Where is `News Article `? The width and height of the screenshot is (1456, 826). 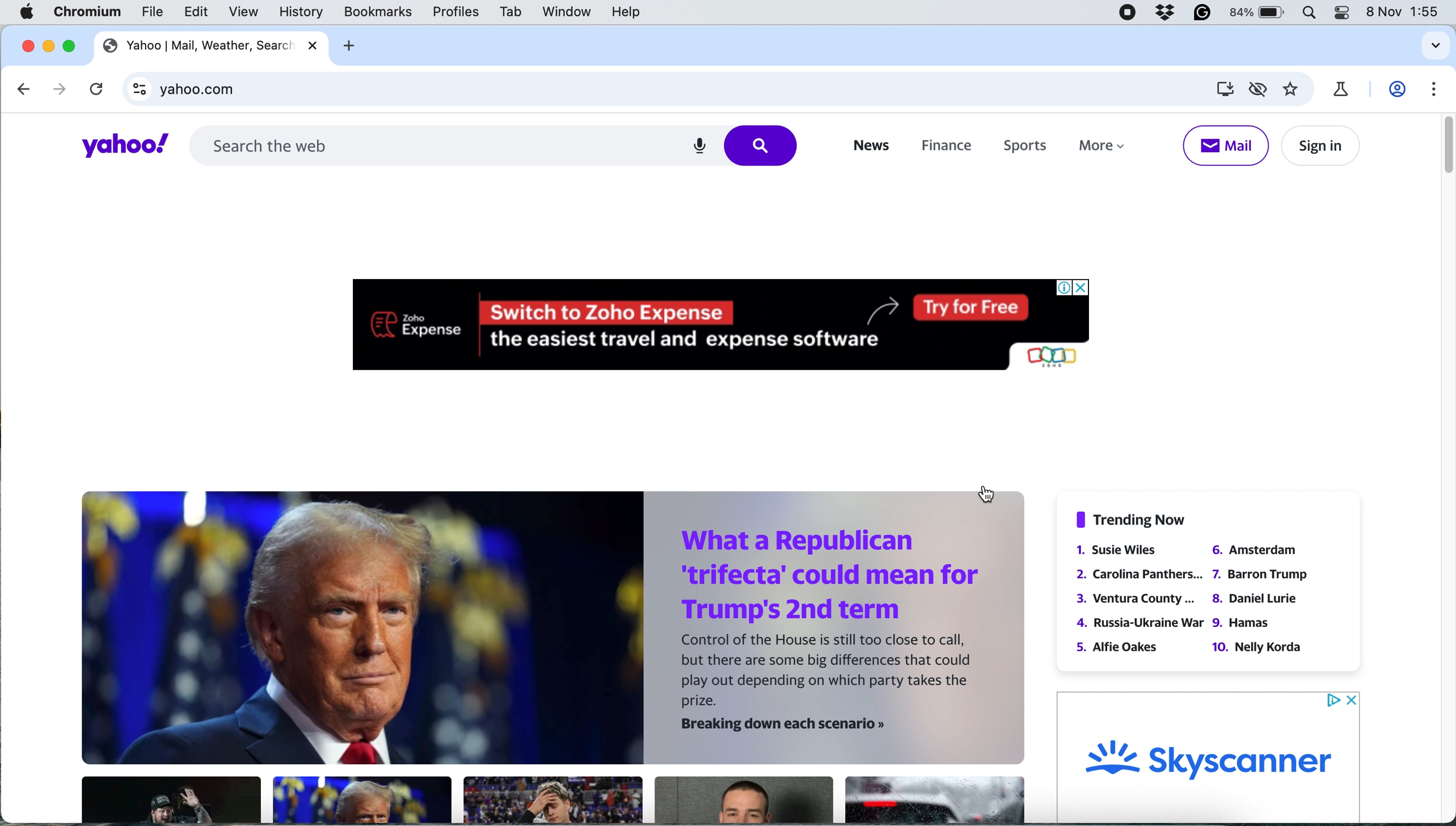 News Article  is located at coordinates (932, 801).